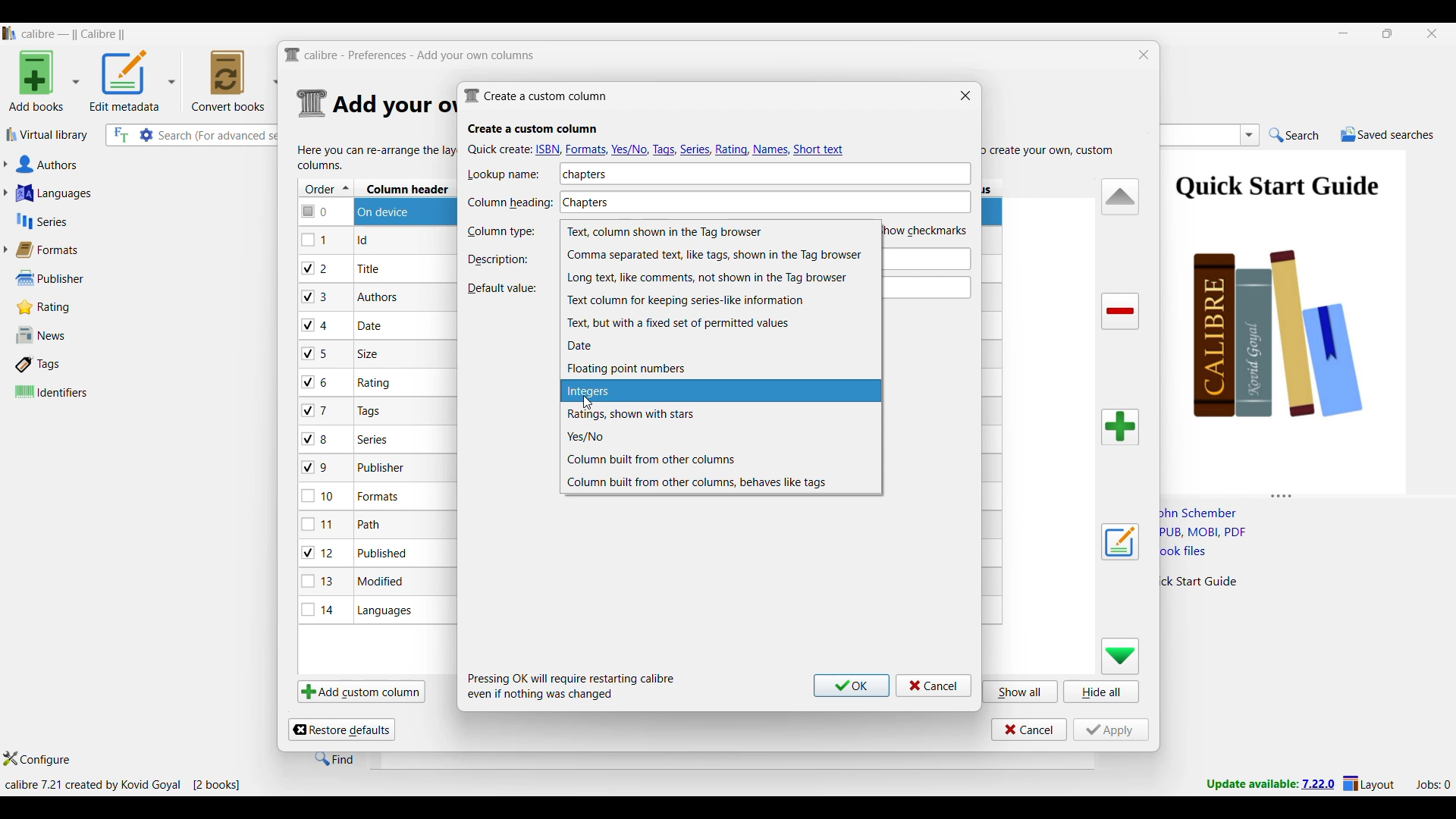  Describe the element at coordinates (720, 414) in the screenshot. I see `Ratings` at that location.